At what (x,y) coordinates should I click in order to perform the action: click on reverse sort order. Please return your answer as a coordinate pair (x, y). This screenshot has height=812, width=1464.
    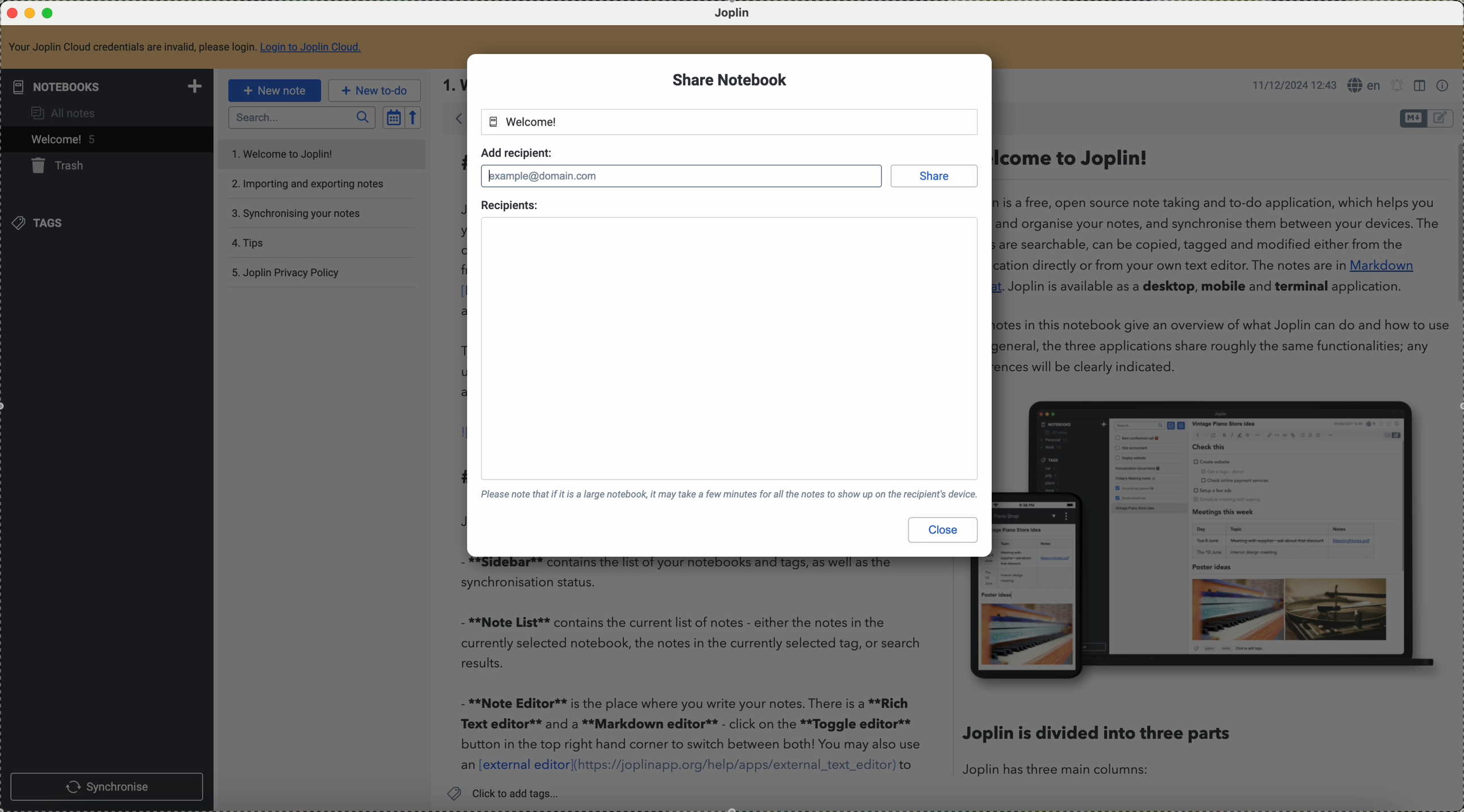
    Looking at the image, I should click on (412, 118).